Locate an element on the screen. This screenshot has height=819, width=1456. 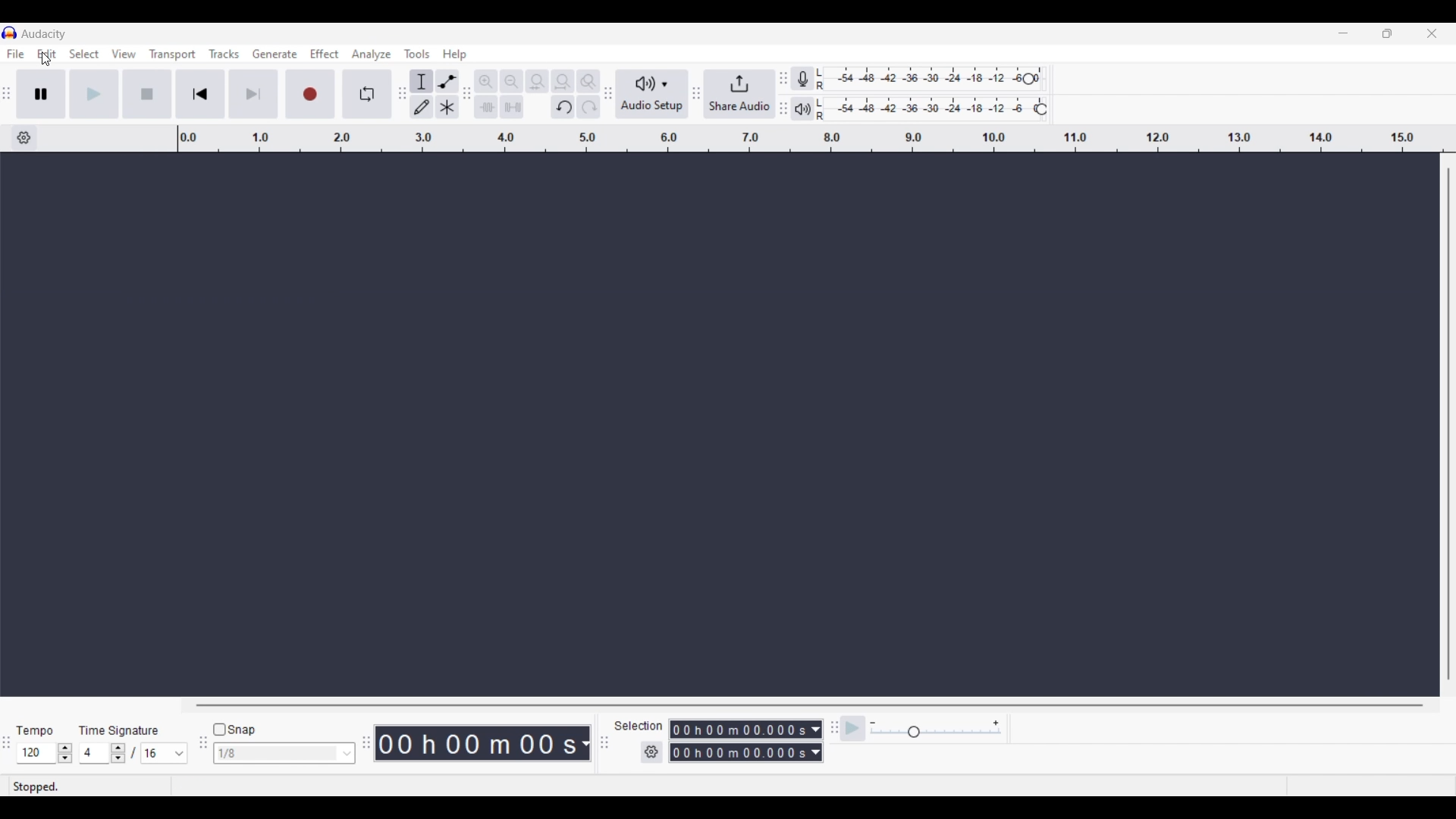
Play-at-speed/Play-at-speed oncce is located at coordinates (853, 729).